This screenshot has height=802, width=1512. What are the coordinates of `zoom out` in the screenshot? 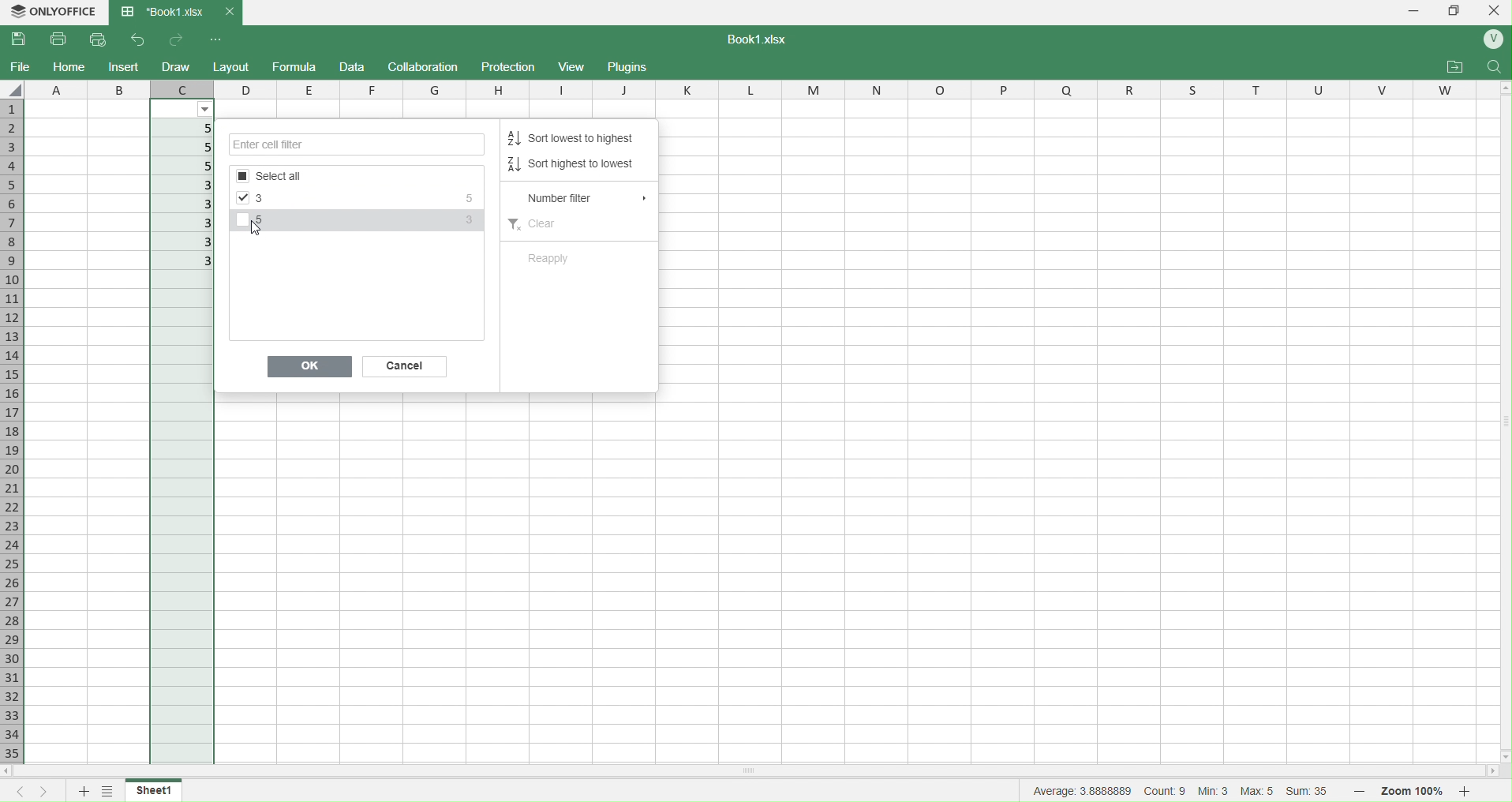 It's located at (1357, 789).